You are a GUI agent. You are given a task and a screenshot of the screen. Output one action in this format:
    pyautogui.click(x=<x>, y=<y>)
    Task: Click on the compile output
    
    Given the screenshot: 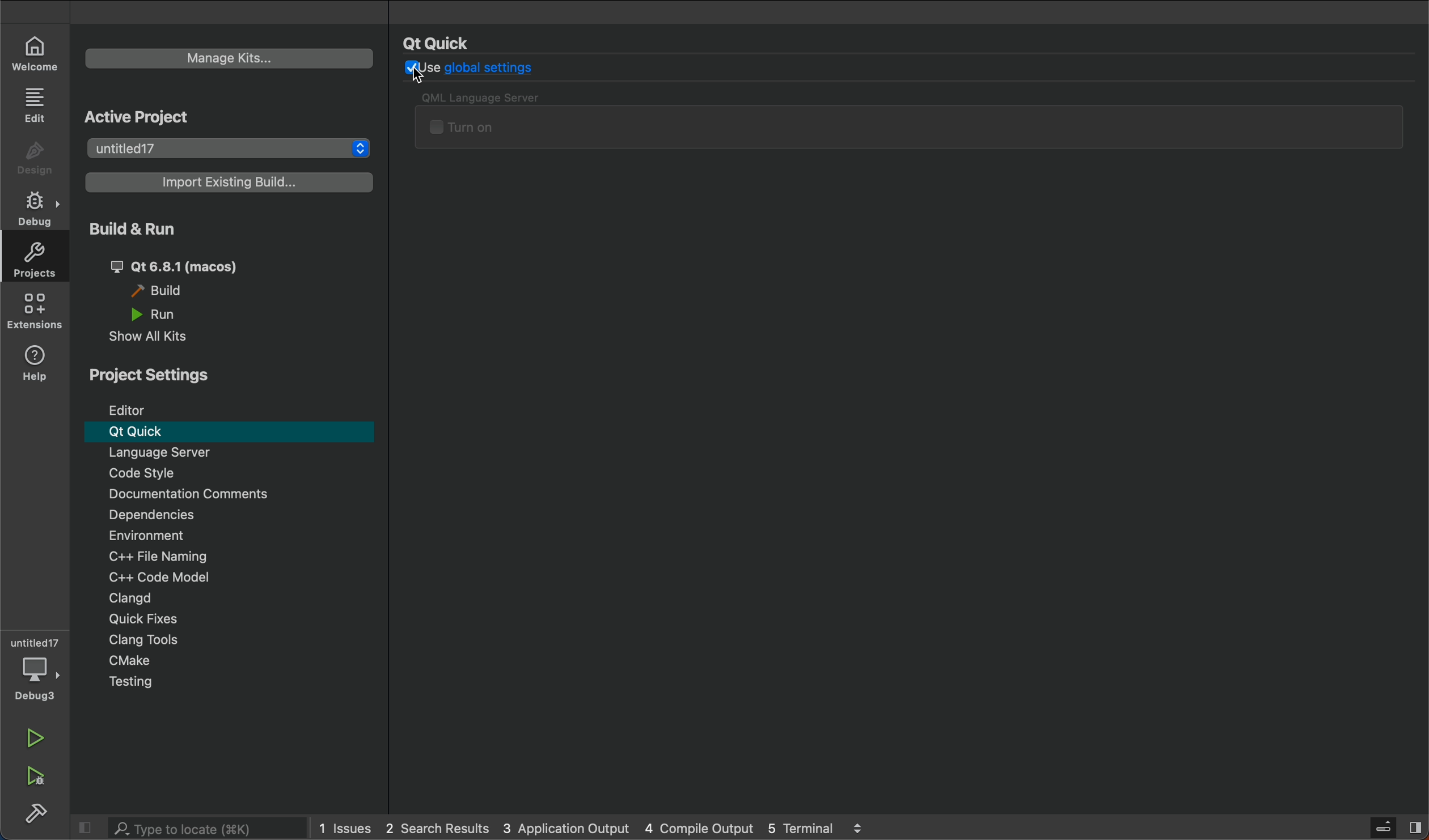 What is the action you would take?
    pyautogui.click(x=699, y=827)
    